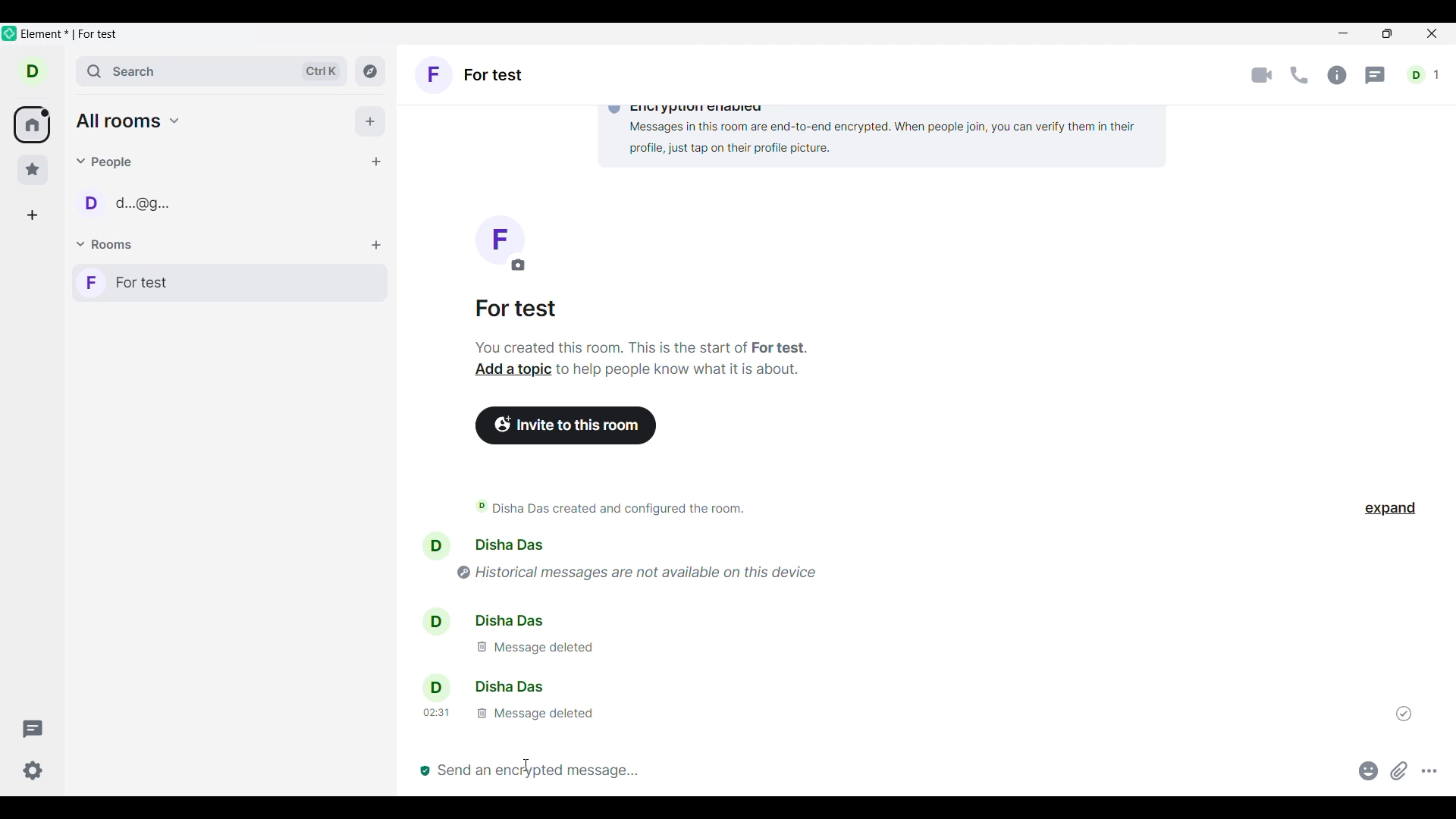 The width and height of the screenshot is (1456, 819). What do you see at coordinates (1376, 76) in the screenshot?
I see `Threads` at bounding box center [1376, 76].